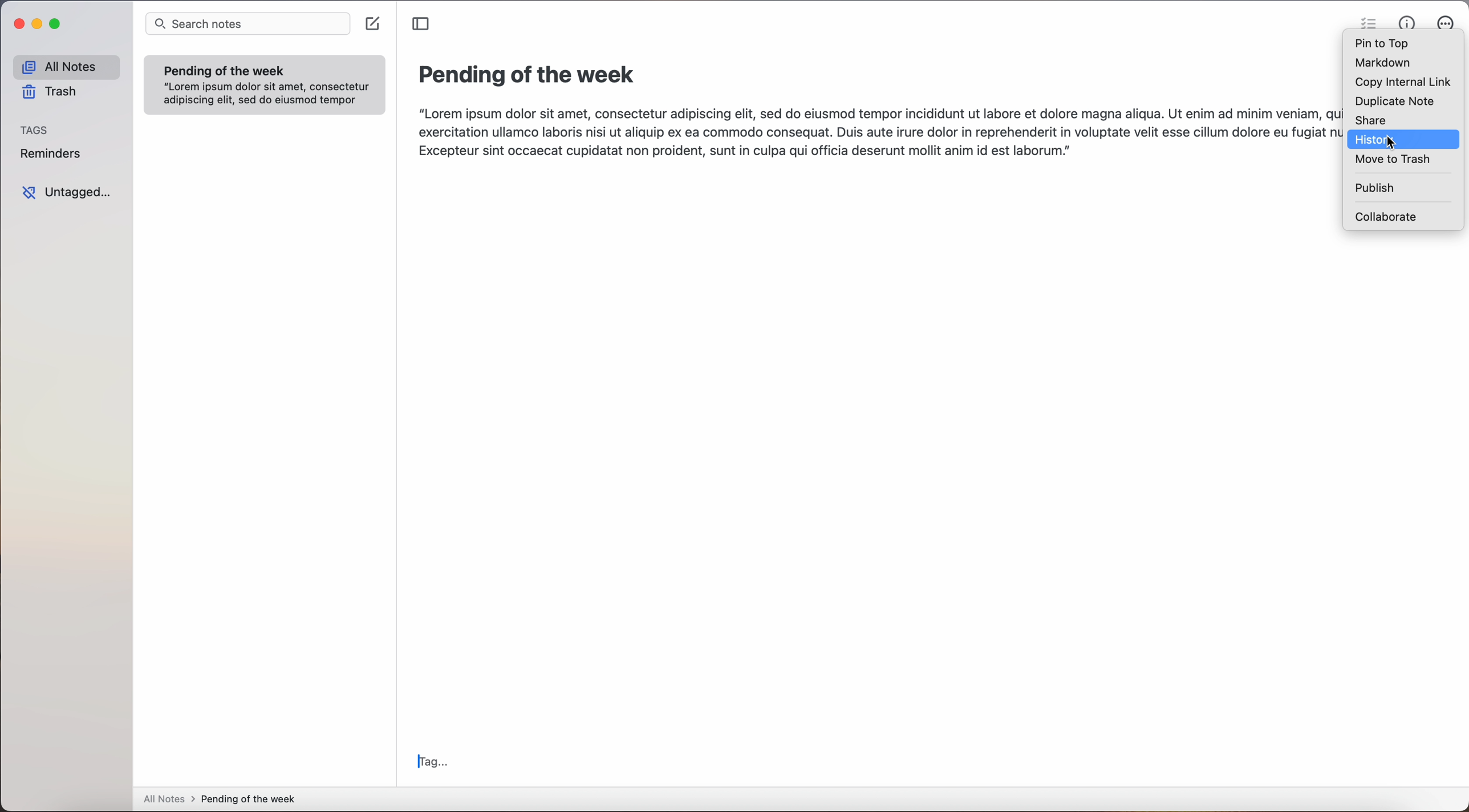 The width and height of the screenshot is (1469, 812). I want to click on duplicate note, so click(1397, 101).